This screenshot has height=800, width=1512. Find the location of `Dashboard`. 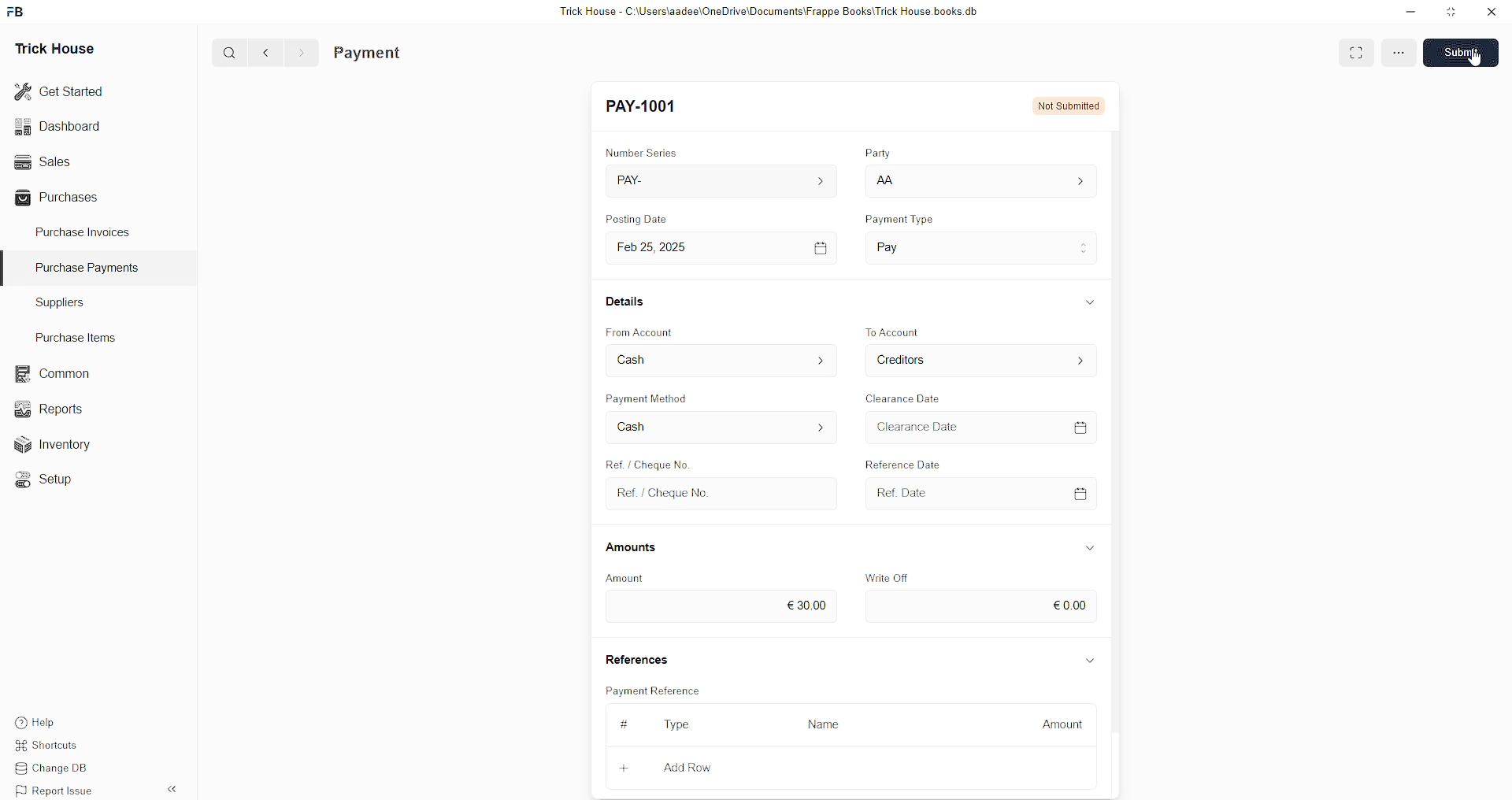

Dashboard is located at coordinates (61, 126).